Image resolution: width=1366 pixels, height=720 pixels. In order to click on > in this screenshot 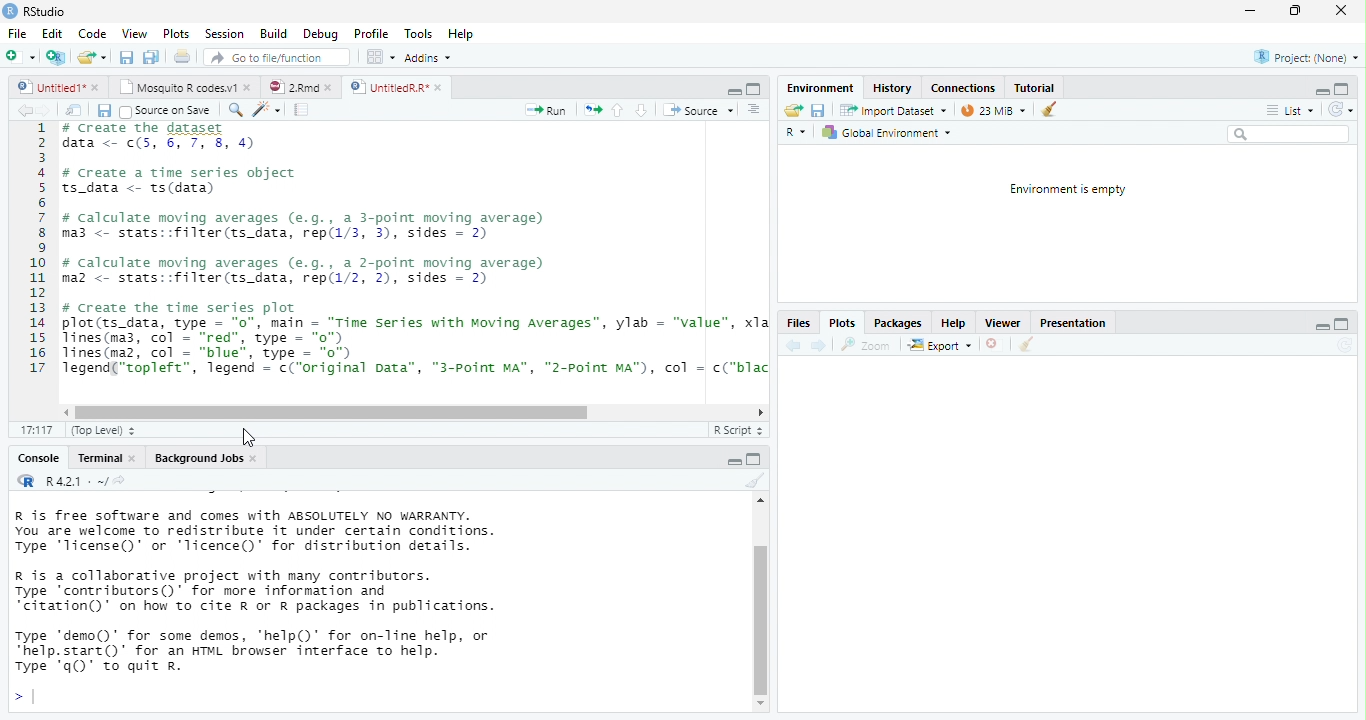, I will do `click(23, 698)`.